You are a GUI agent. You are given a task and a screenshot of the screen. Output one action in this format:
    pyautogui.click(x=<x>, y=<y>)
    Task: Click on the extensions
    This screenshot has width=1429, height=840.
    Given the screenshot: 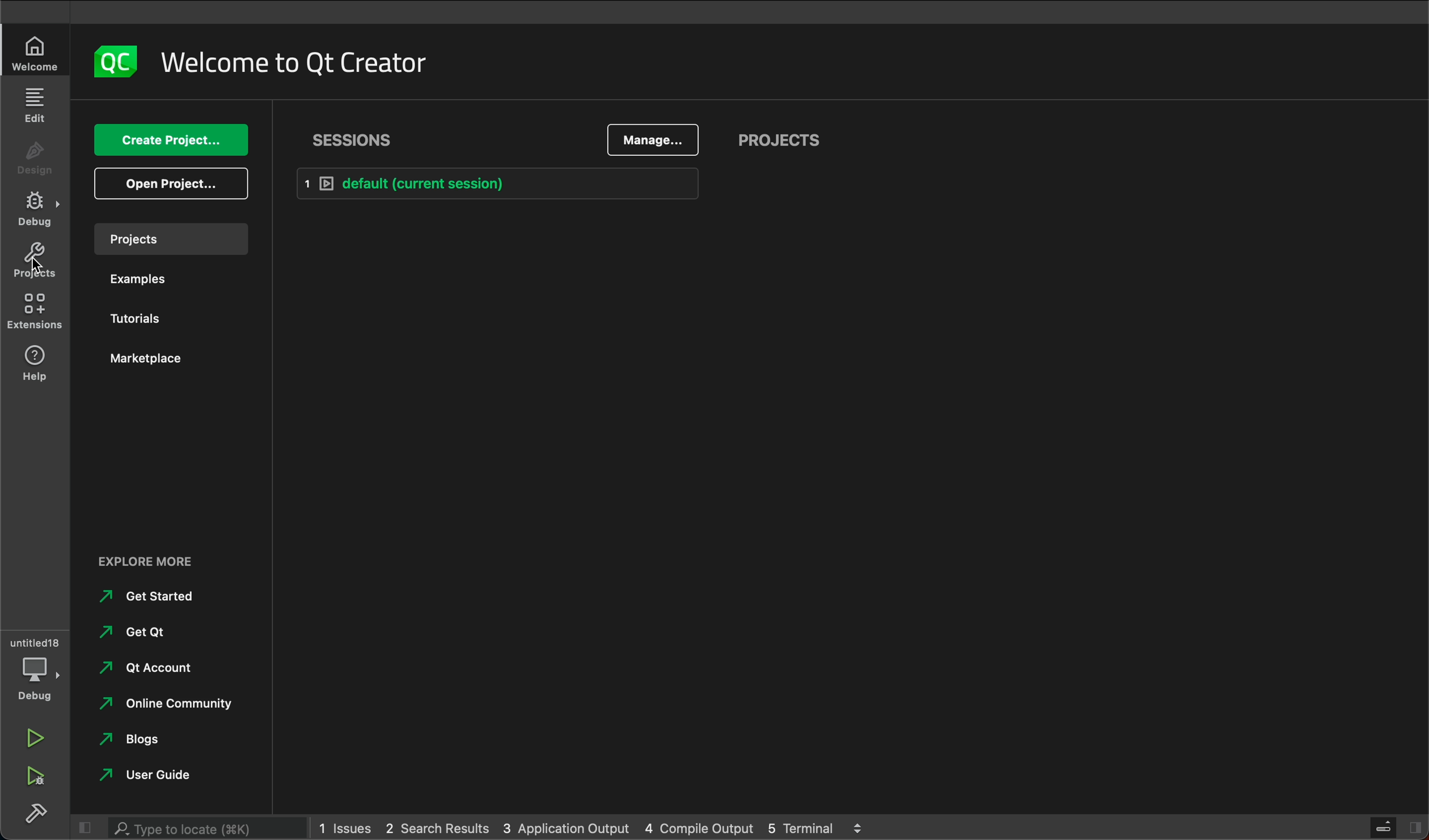 What is the action you would take?
    pyautogui.click(x=35, y=315)
    